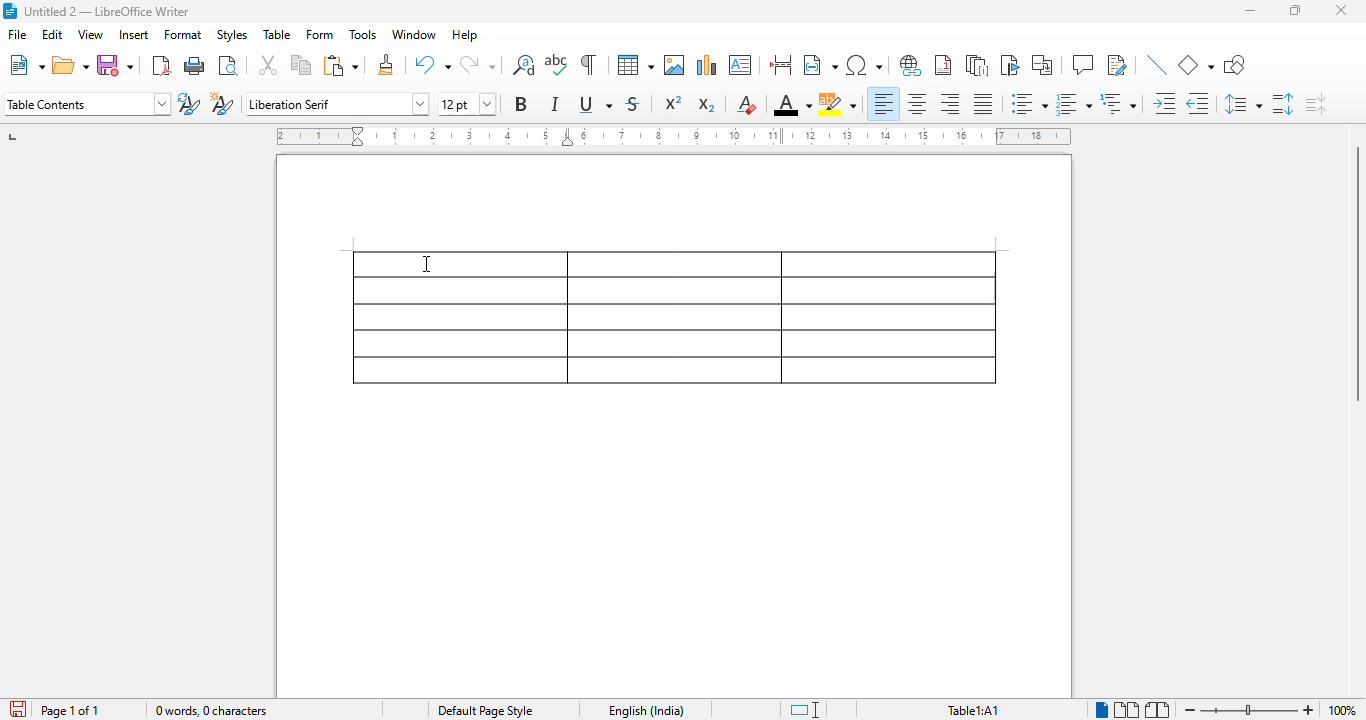  What do you see at coordinates (1354, 274) in the screenshot?
I see `vertical scroll bar` at bounding box center [1354, 274].